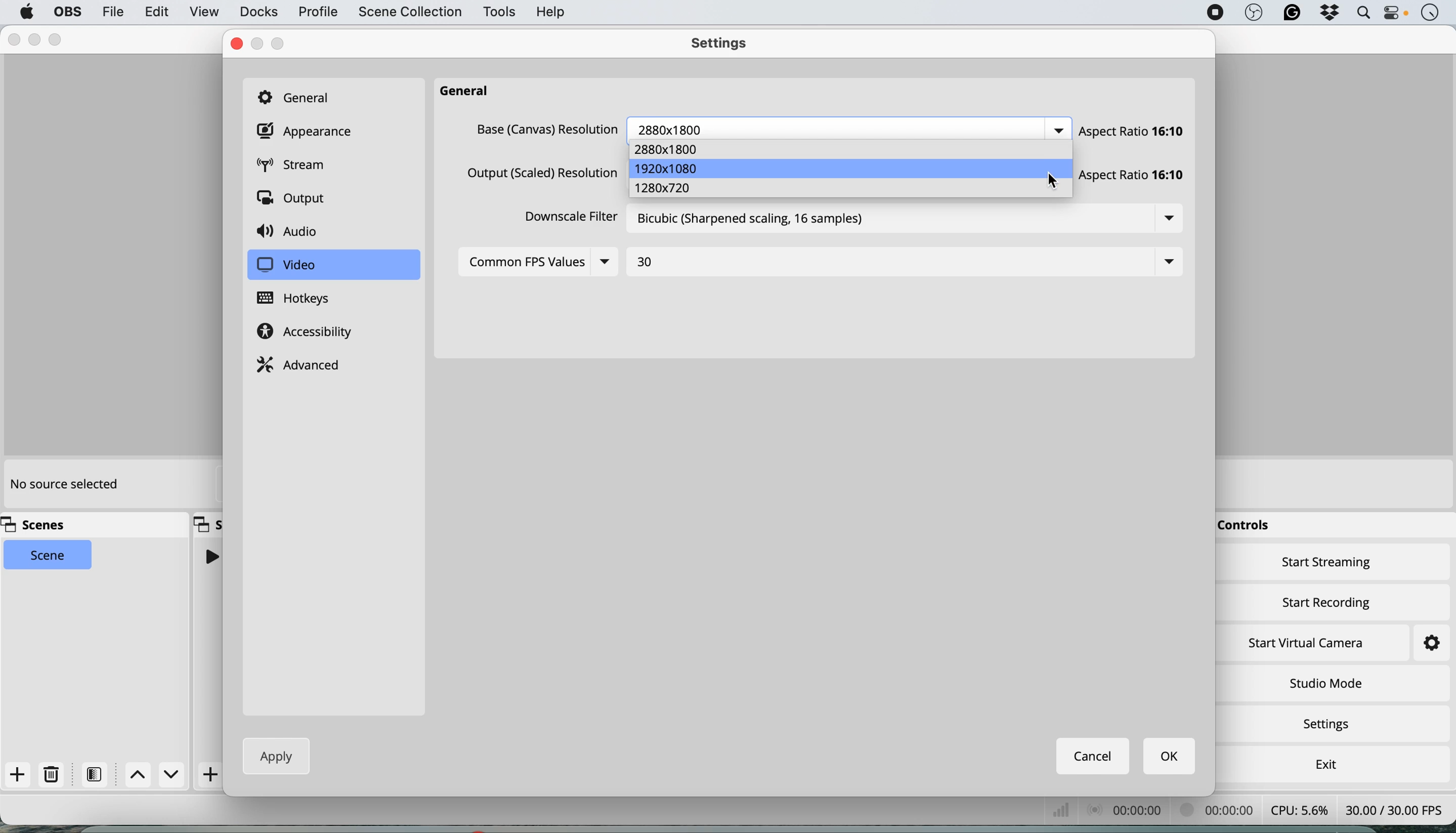  What do you see at coordinates (1052, 182) in the screenshot?
I see `cursor` at bounding box center [1052, 182].